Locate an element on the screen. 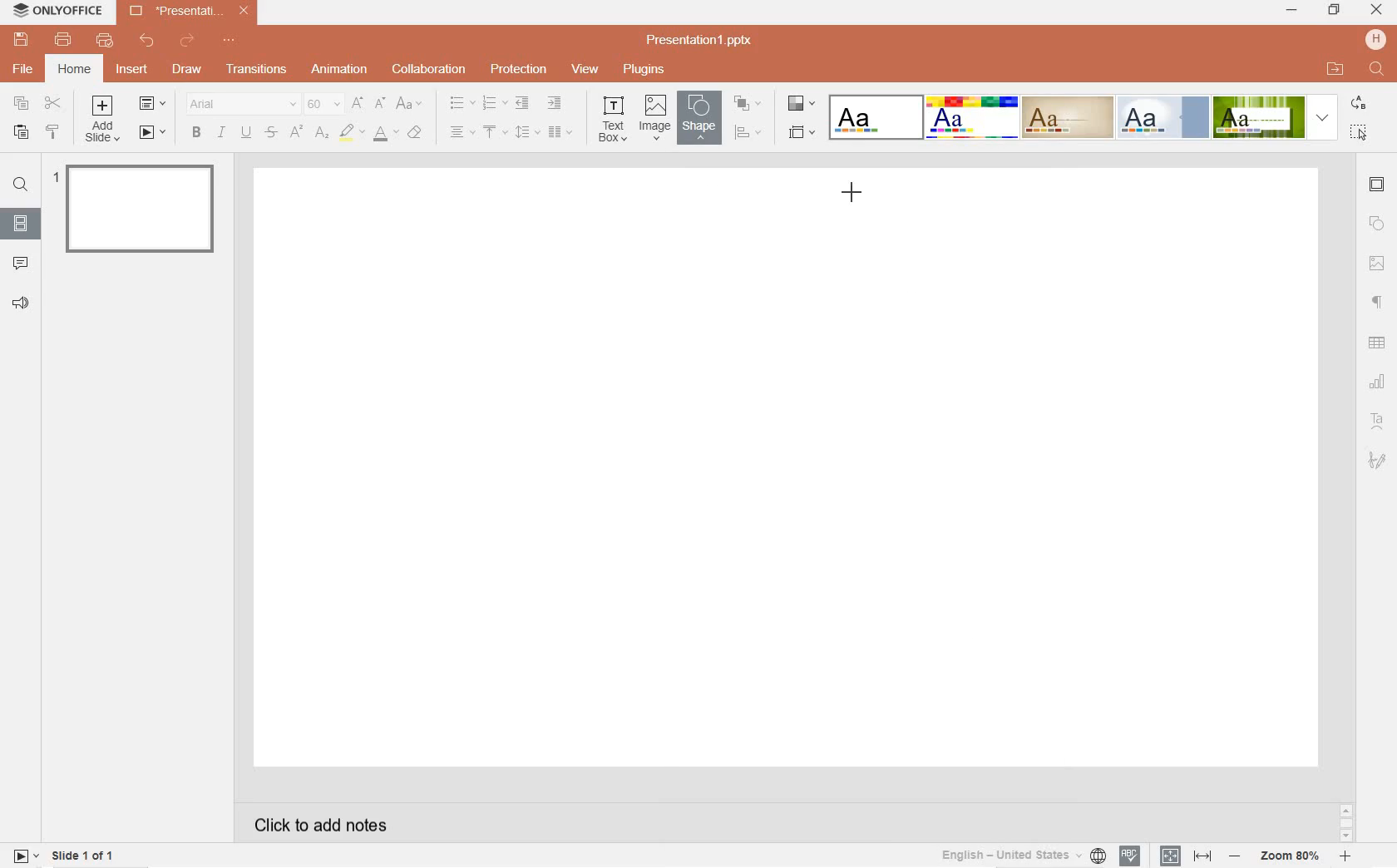  start slide show is located at coordinates (26, 855).